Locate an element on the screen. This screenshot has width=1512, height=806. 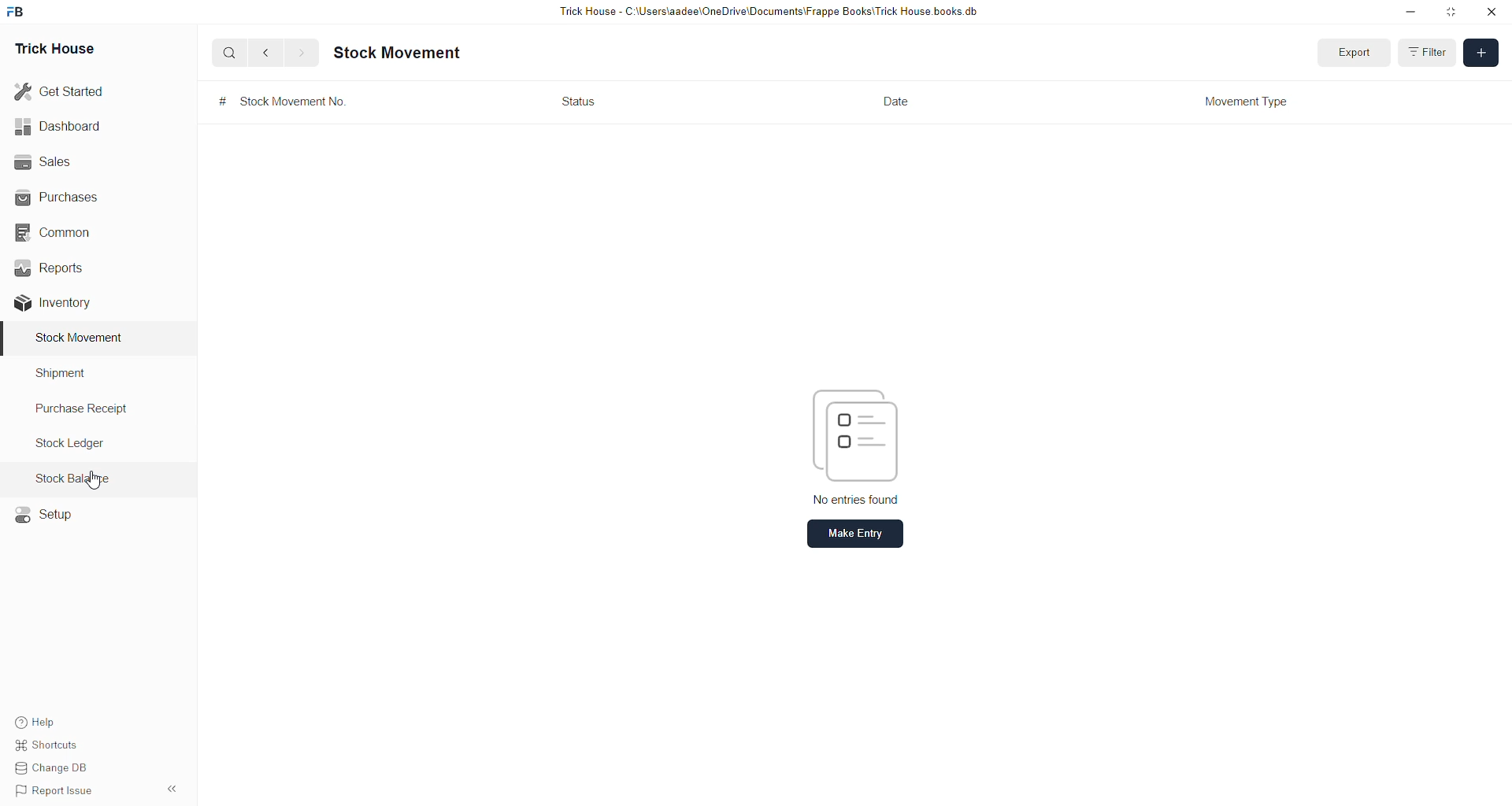
Report issue is located at coordinates (65, 791).